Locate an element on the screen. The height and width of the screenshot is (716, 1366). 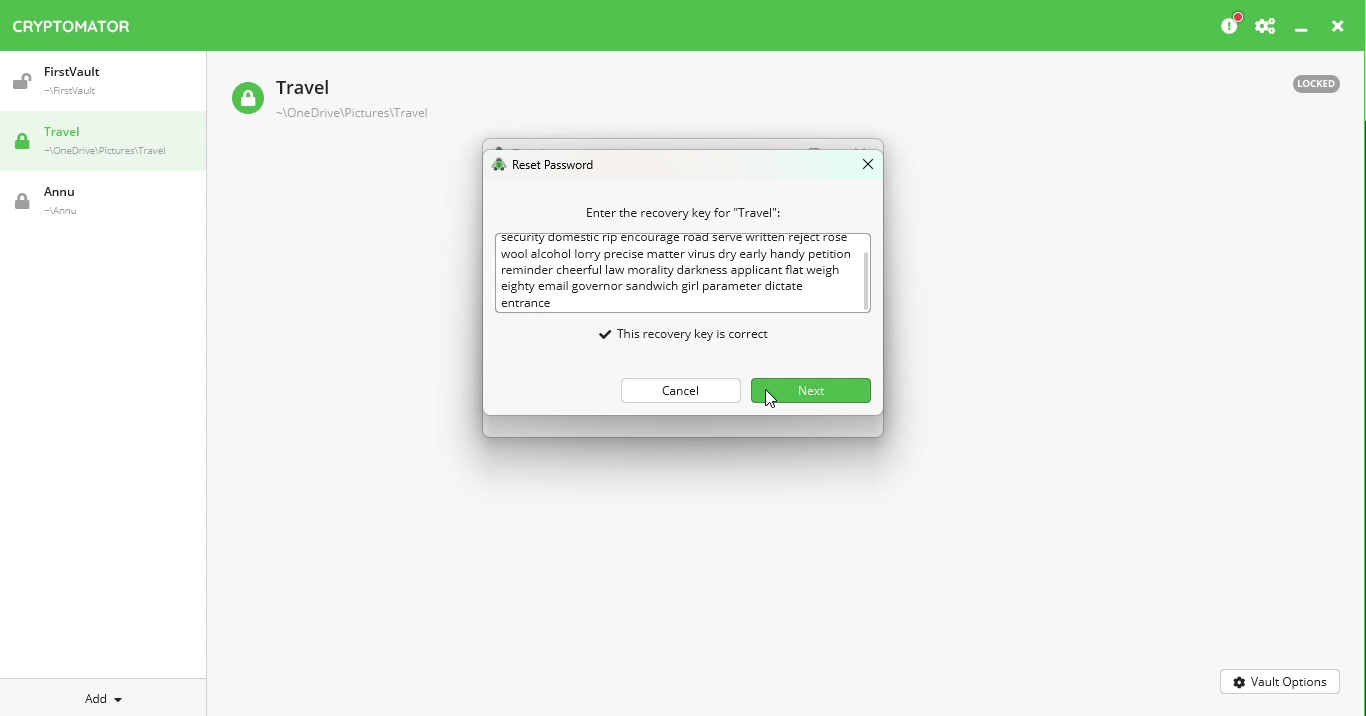
Next is located at coordinates (807, 389).